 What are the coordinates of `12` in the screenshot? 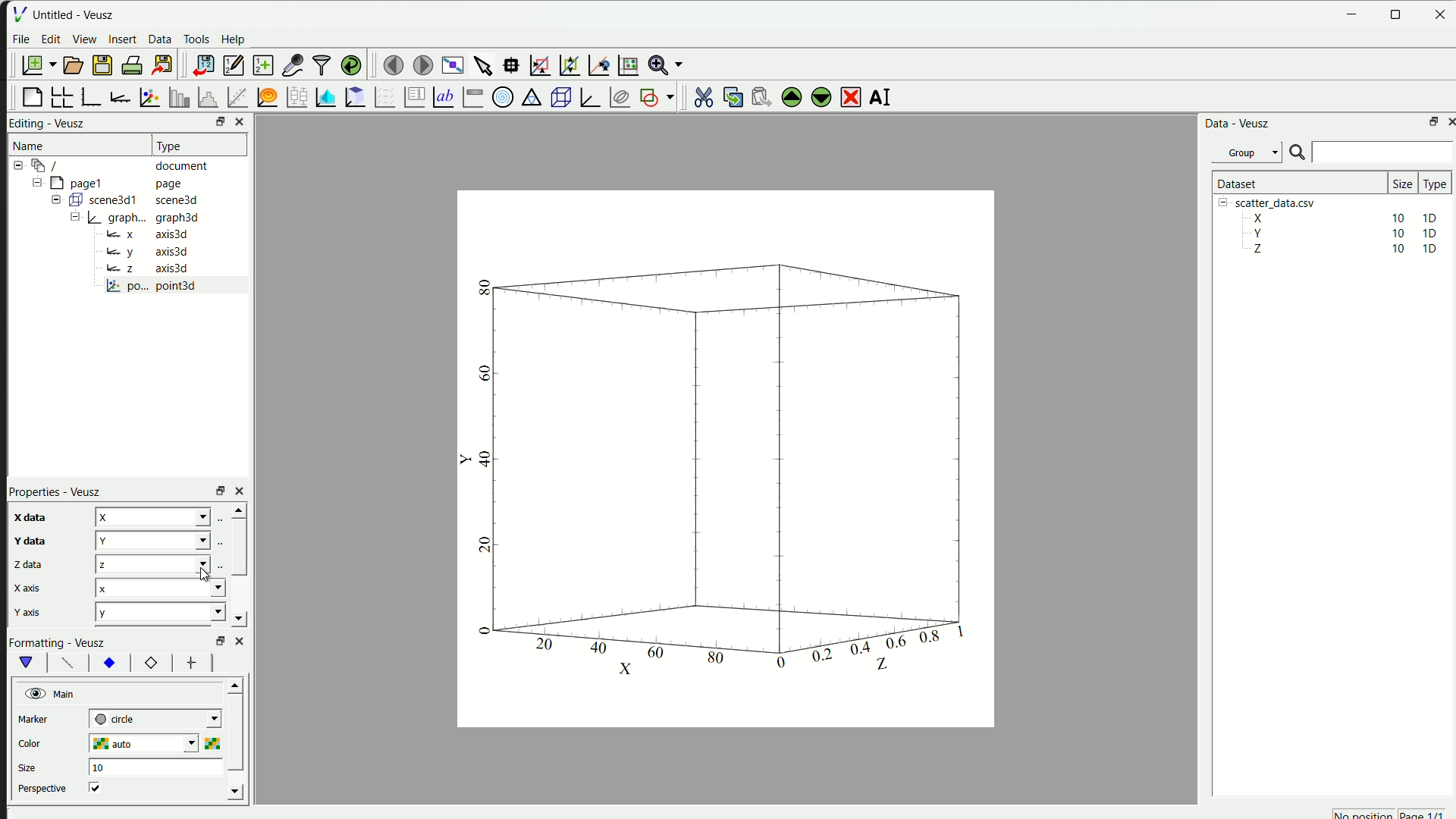 It's located at (146, 663).